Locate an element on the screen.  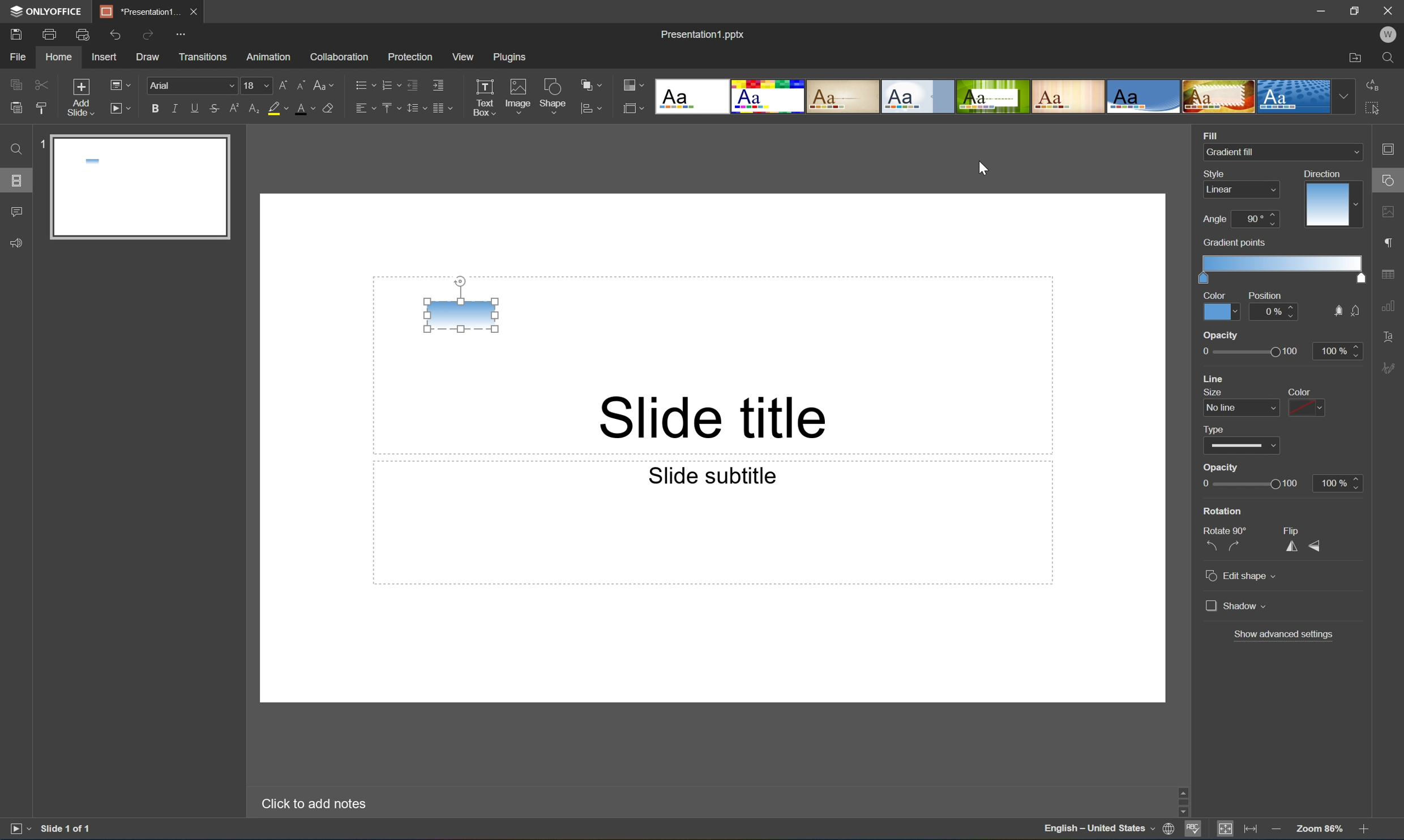
type is located at coordinates (1218, 428).